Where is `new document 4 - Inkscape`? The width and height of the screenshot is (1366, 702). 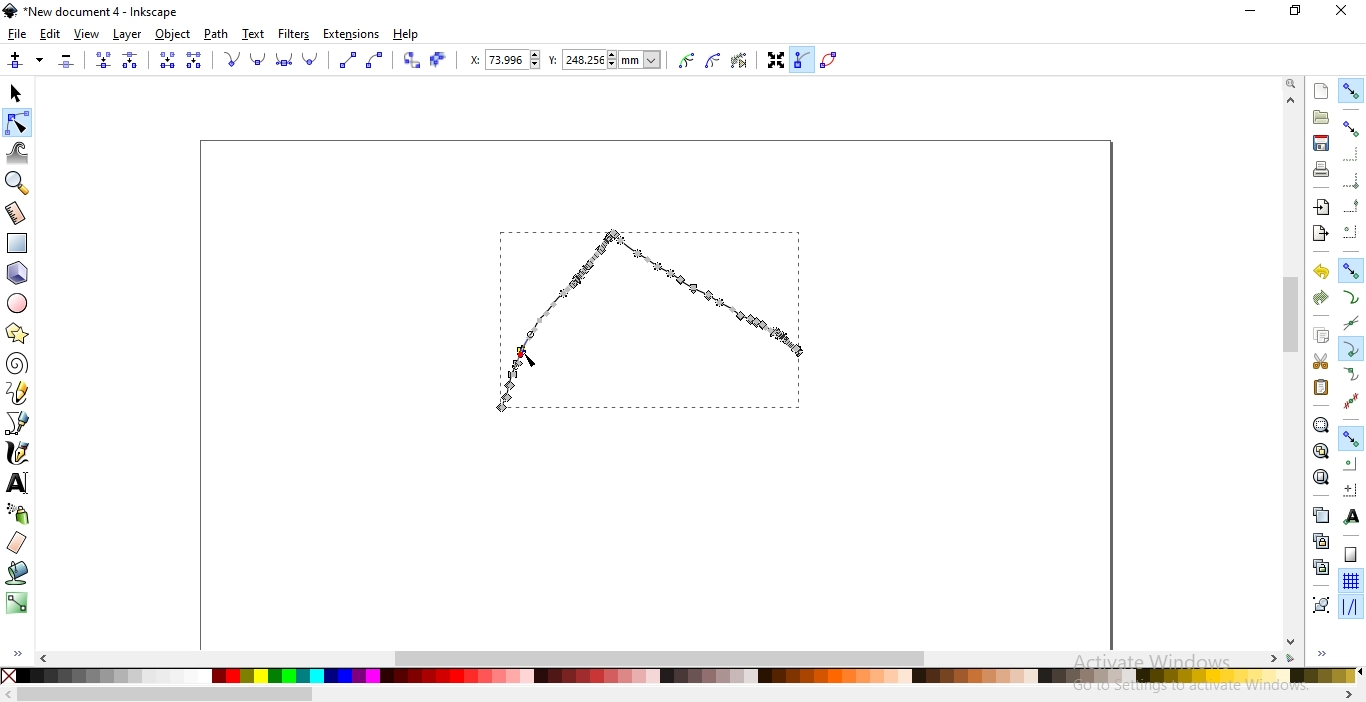 new document 4 - Inkscape is located at coordinates (102, 12).